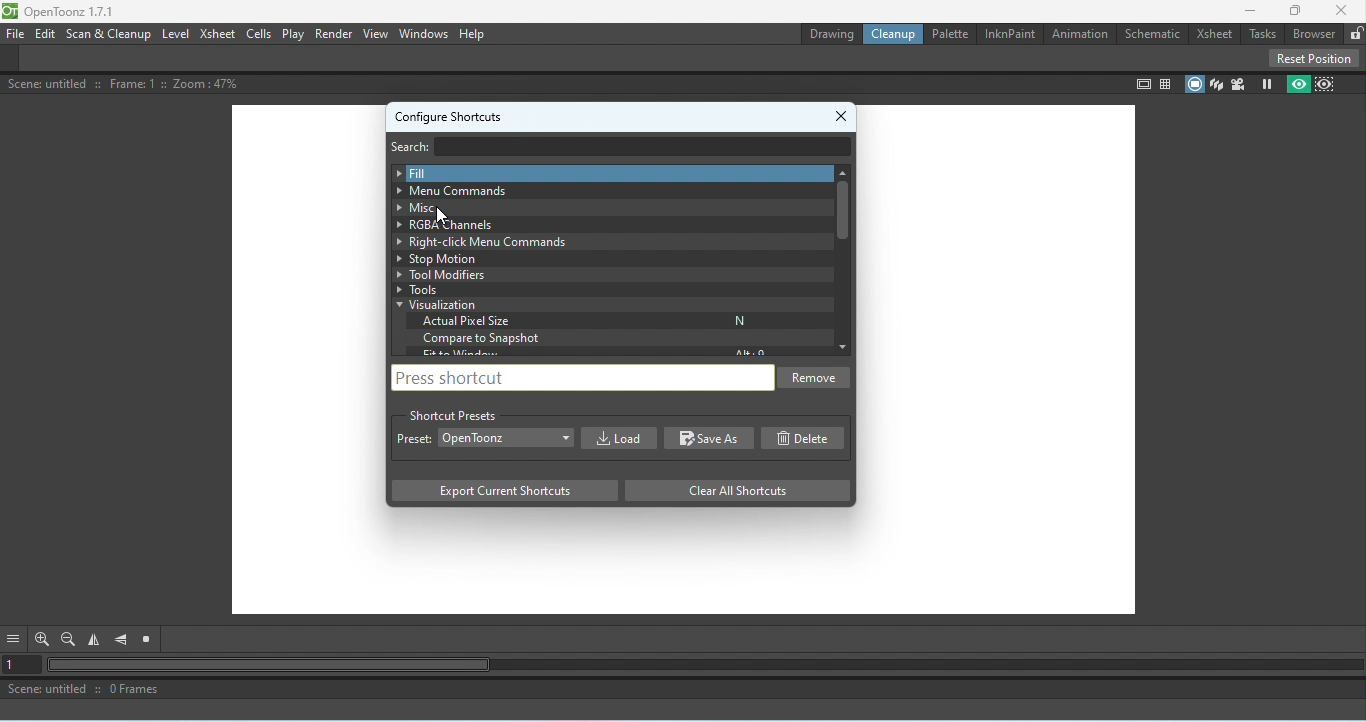  What do you see at coordinates (44, 34) in the screenshot?
I see `Edit` at bounding box center [44, 34].